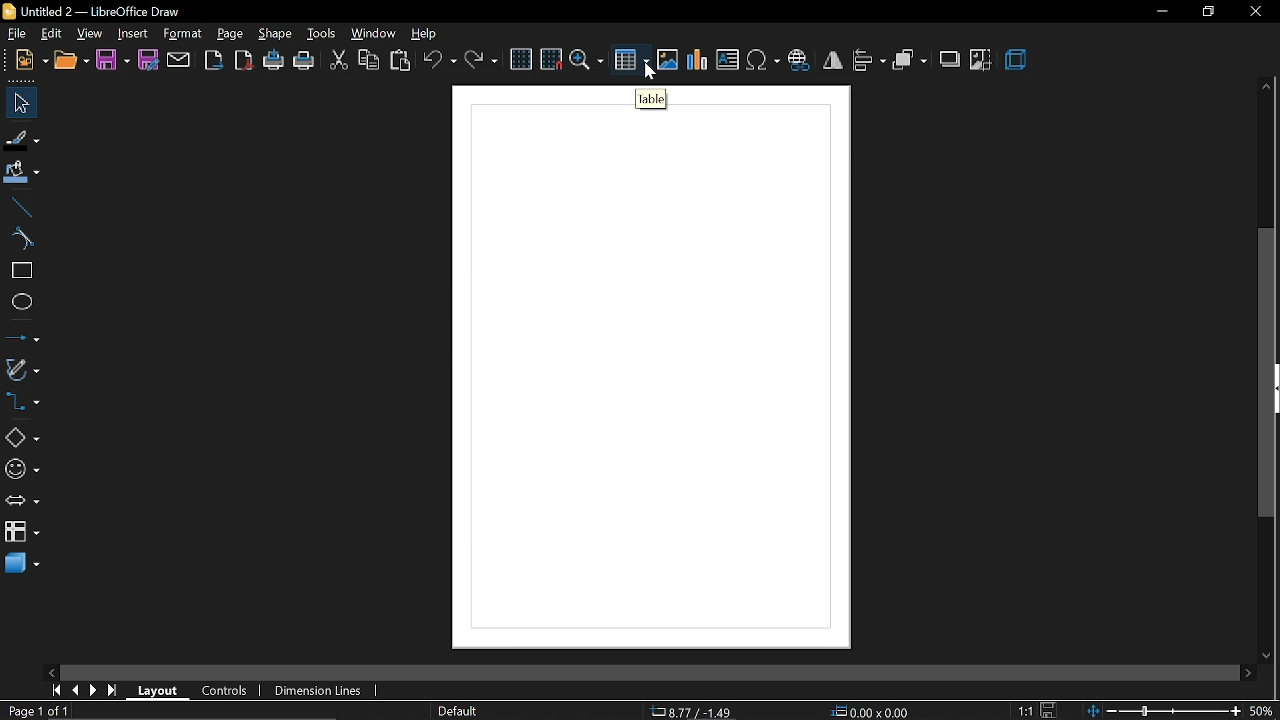 Image resolution: width=1280 pixels, height=720 pixels. Describe the element at coordinates (801, 61) in the screenshot. I see `insert hyperlink` at that location.